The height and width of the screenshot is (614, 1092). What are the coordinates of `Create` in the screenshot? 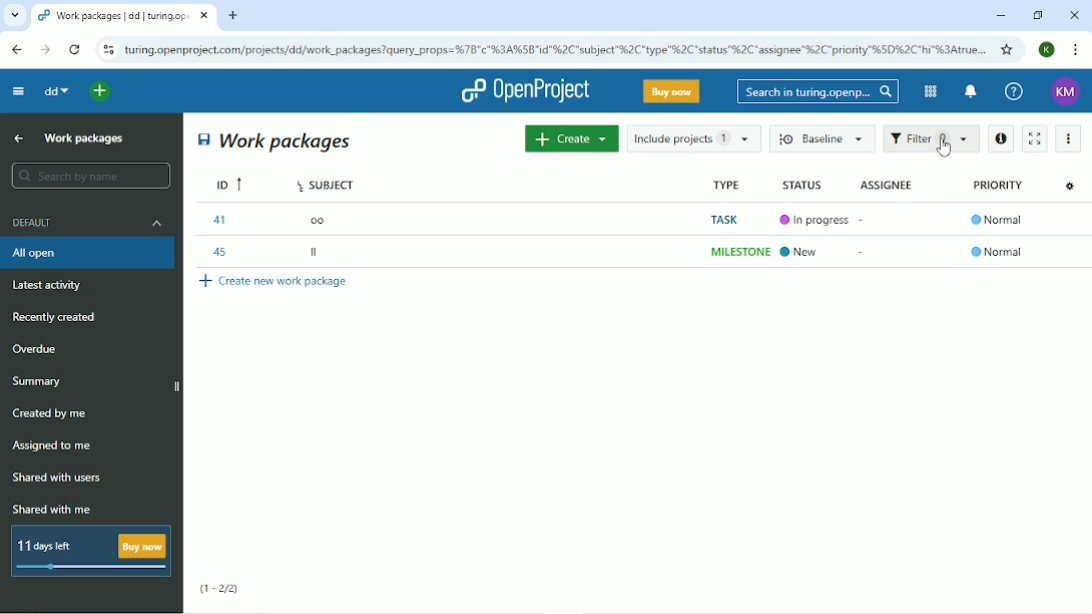 It's located at (571, 138).